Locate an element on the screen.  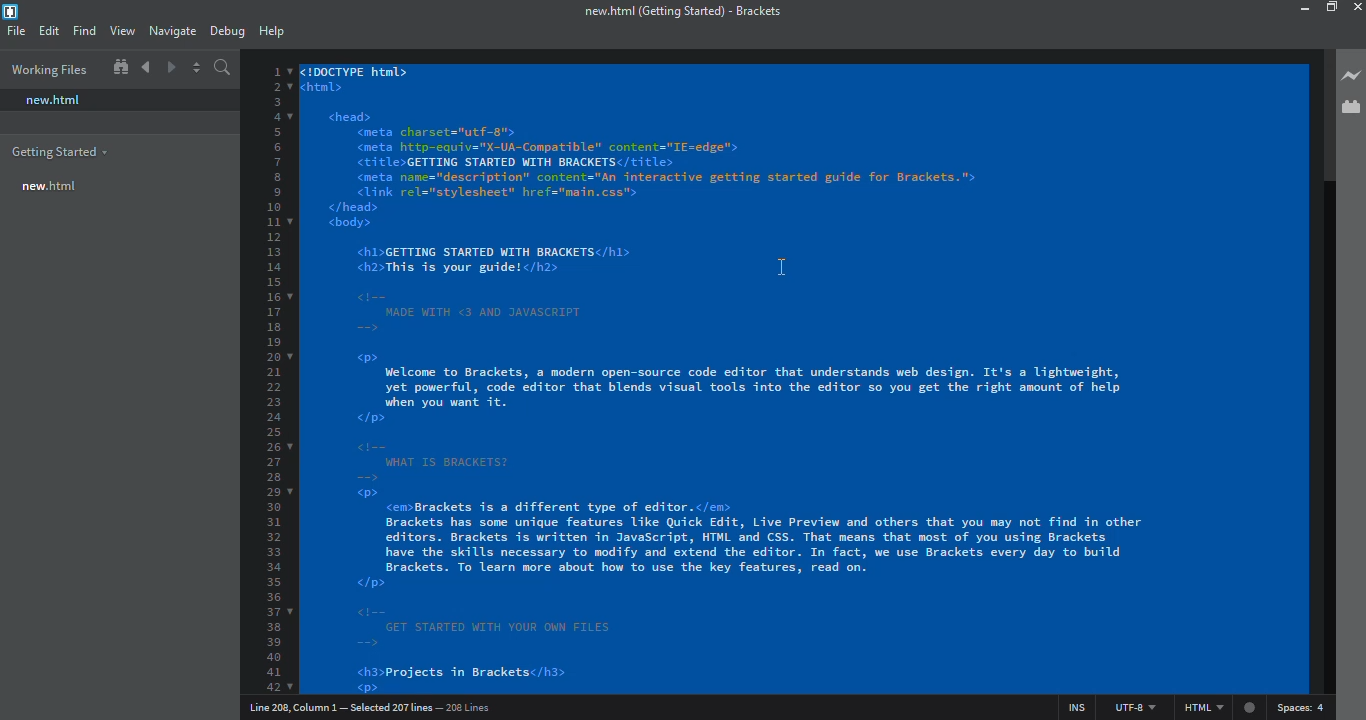
edit is located at coordinates (50, 30).